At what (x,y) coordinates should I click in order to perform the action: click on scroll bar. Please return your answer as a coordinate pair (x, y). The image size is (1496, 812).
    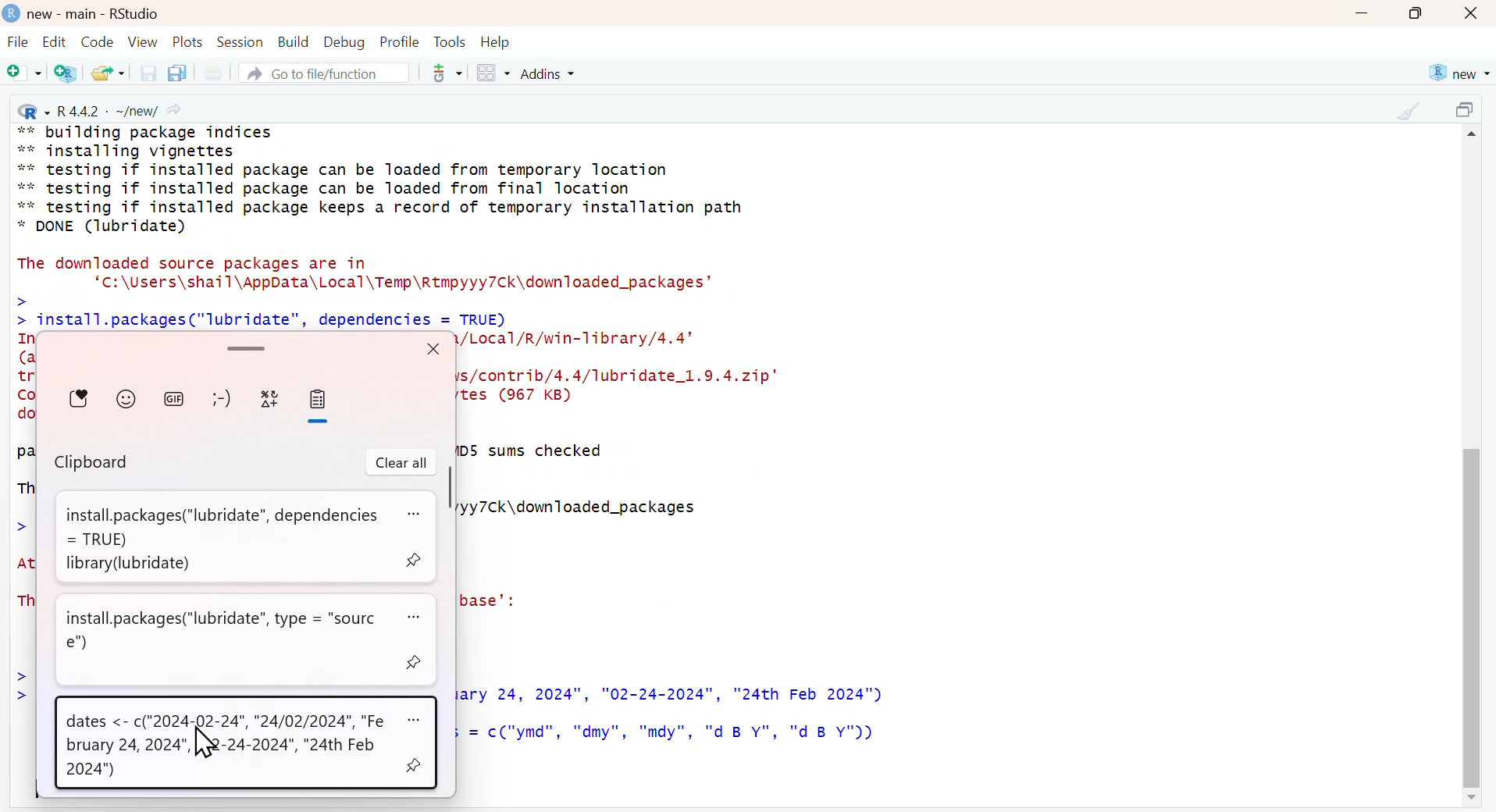
    Looking at the image, I should click on (244, 347).